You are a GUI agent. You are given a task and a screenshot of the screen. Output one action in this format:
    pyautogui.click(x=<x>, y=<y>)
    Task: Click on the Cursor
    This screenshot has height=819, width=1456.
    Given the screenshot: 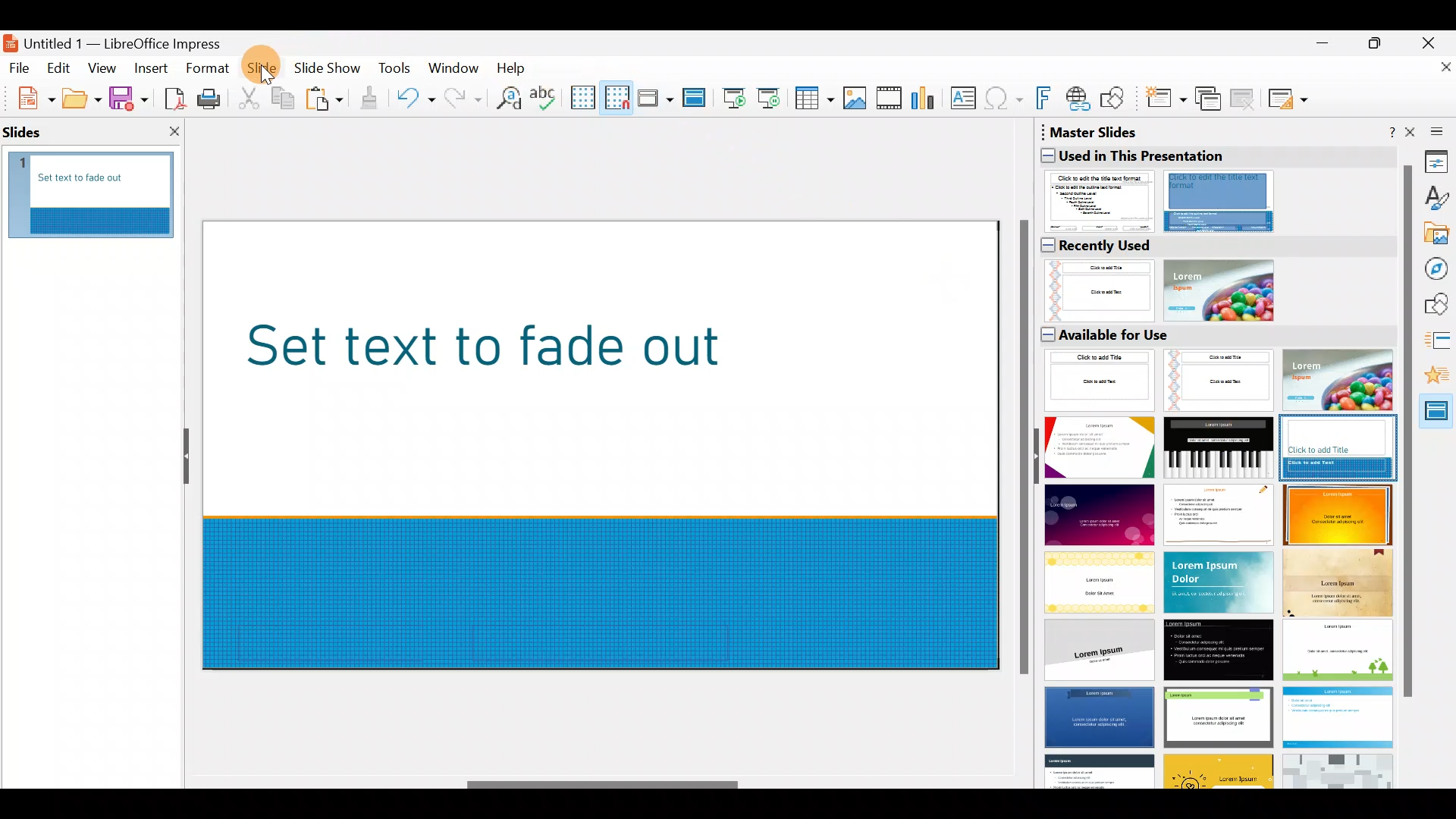 What is the action you would take?
    pyautogui.click(x=264, y=64)
    